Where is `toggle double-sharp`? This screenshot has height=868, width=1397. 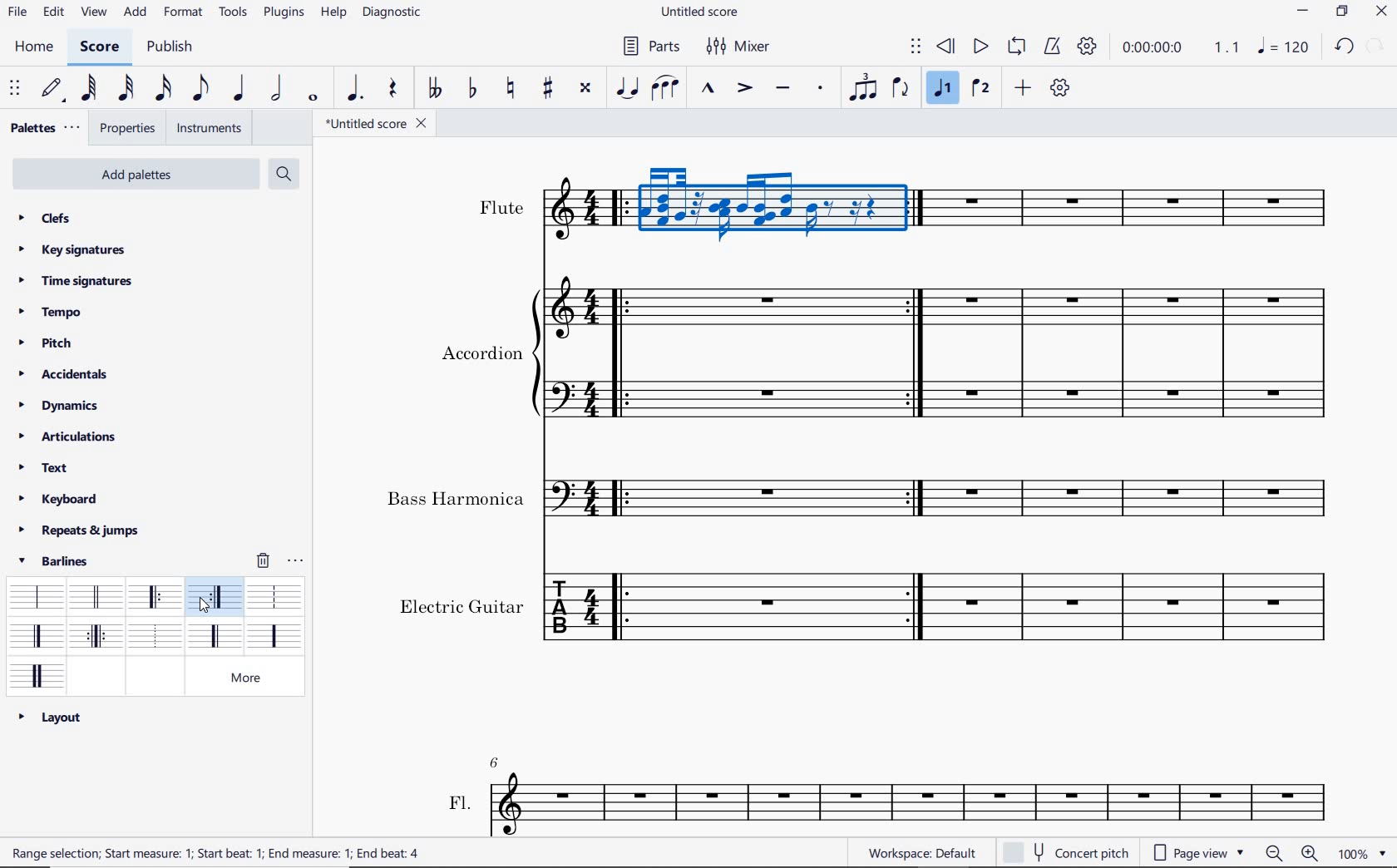 toggle double-sharp is located at coordinates (585, 88).